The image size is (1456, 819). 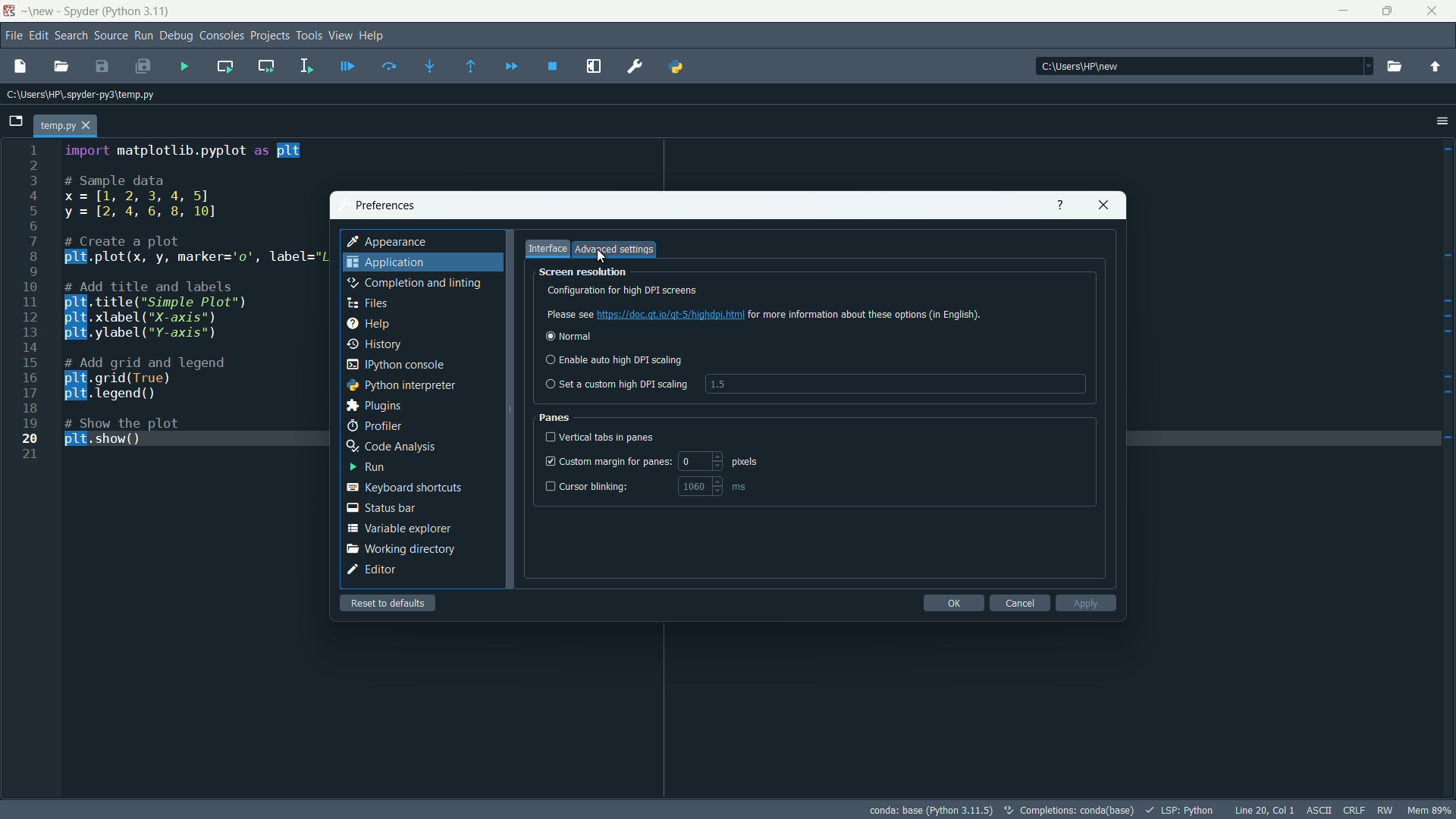 I want to click on run, so click(x=144, y=35).